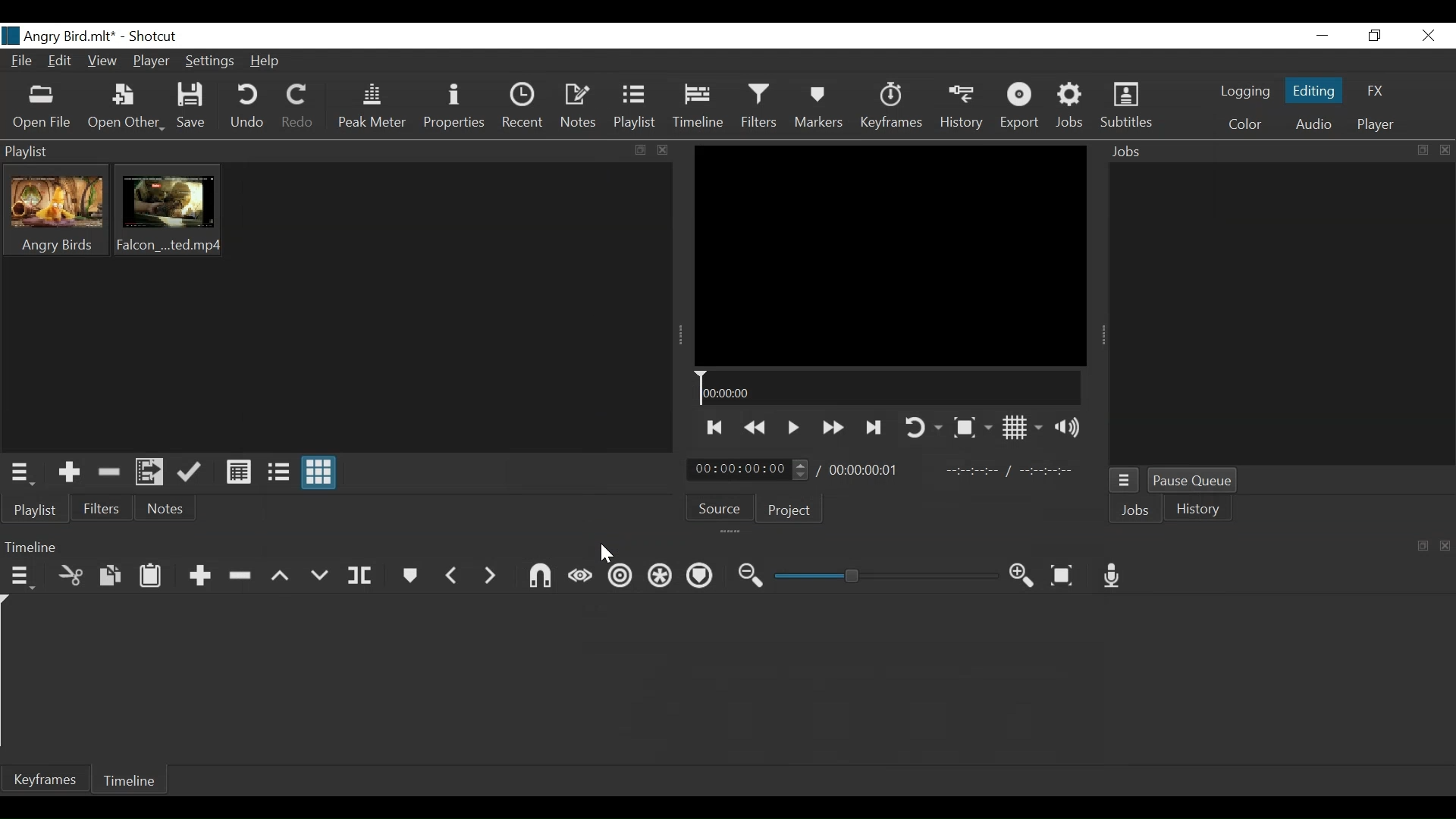  I want to click on Timeline, so click(701, 108).